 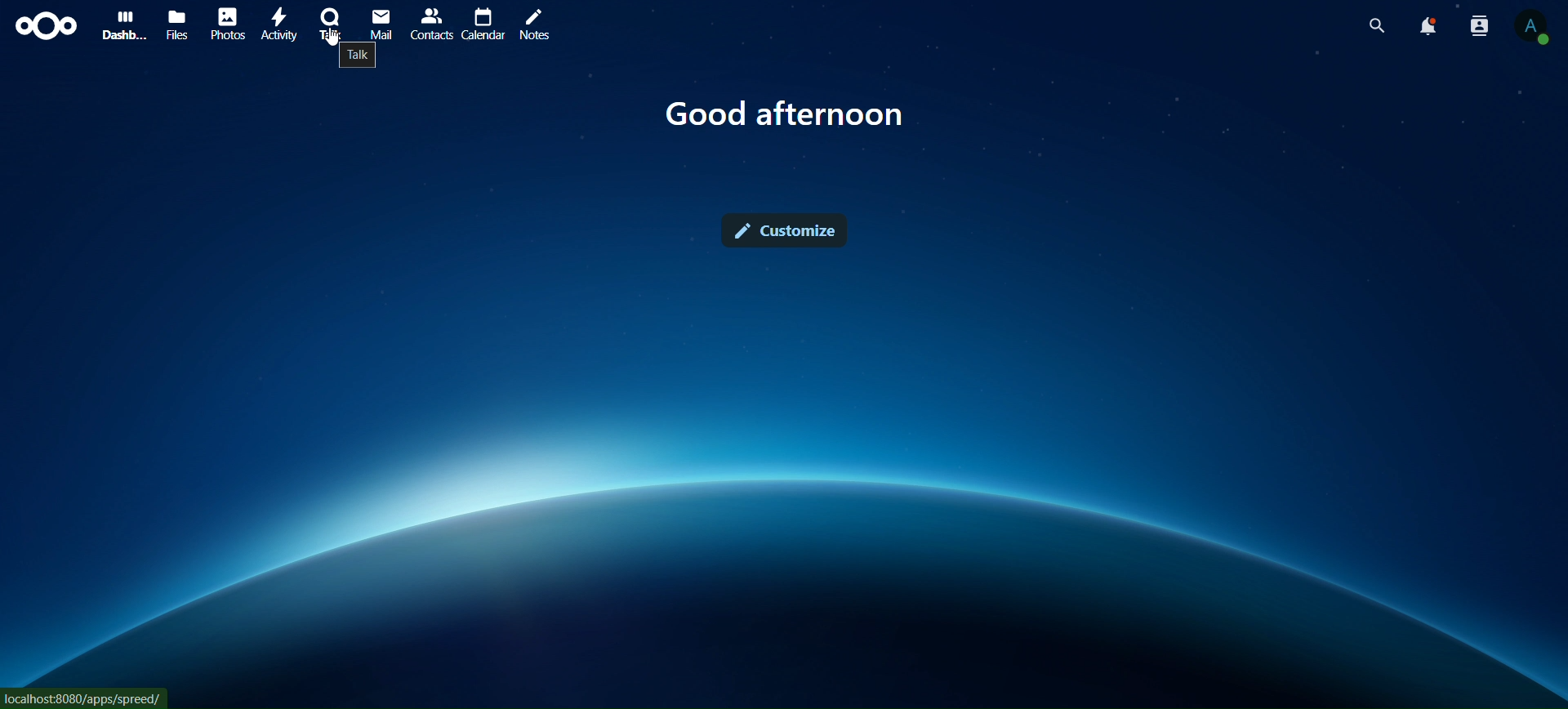 I want to click on icon, so click(x=46, y=27).